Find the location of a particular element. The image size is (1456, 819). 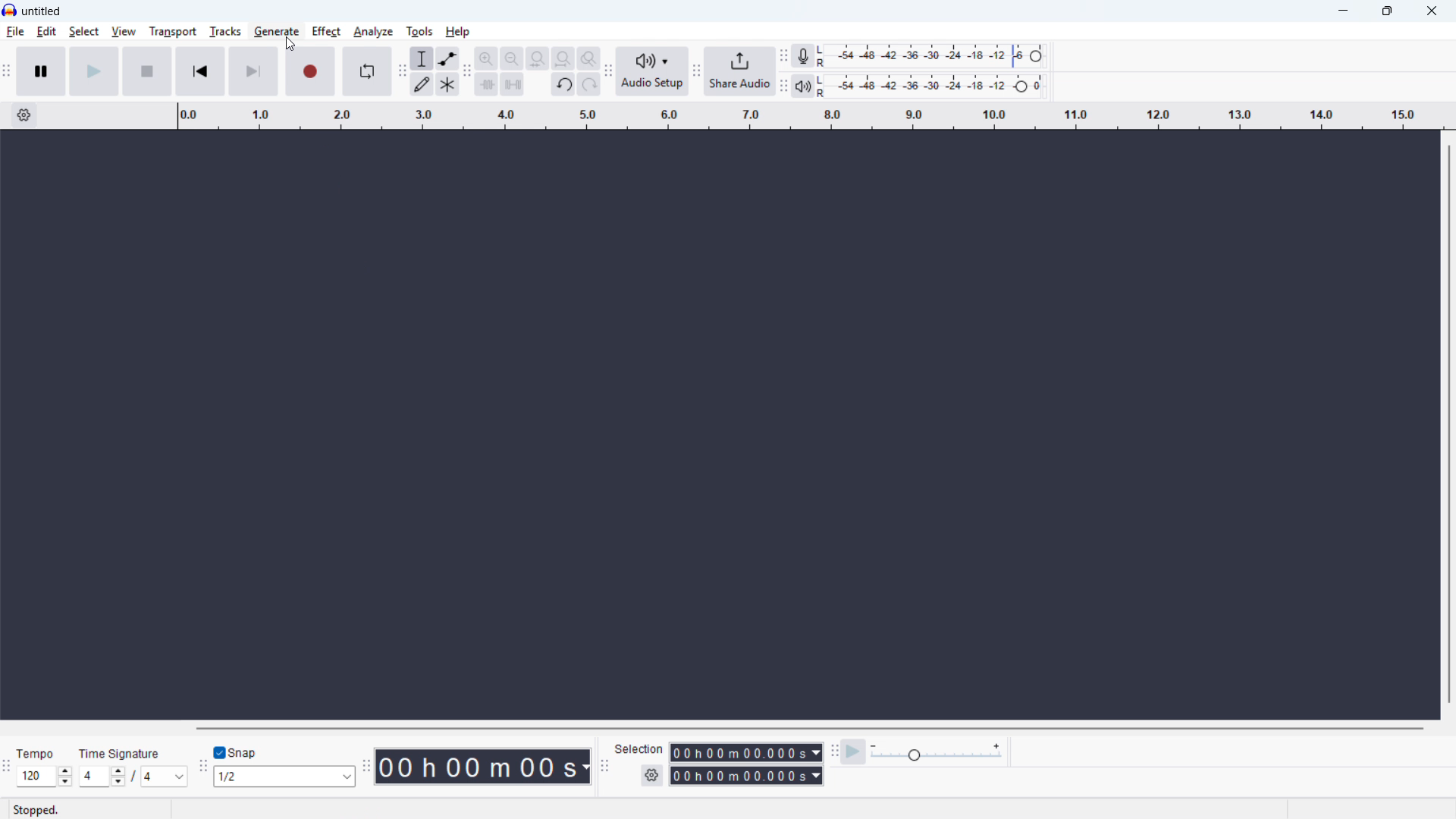

Vertical scroll bar  is located at coordinates (1449, 425).